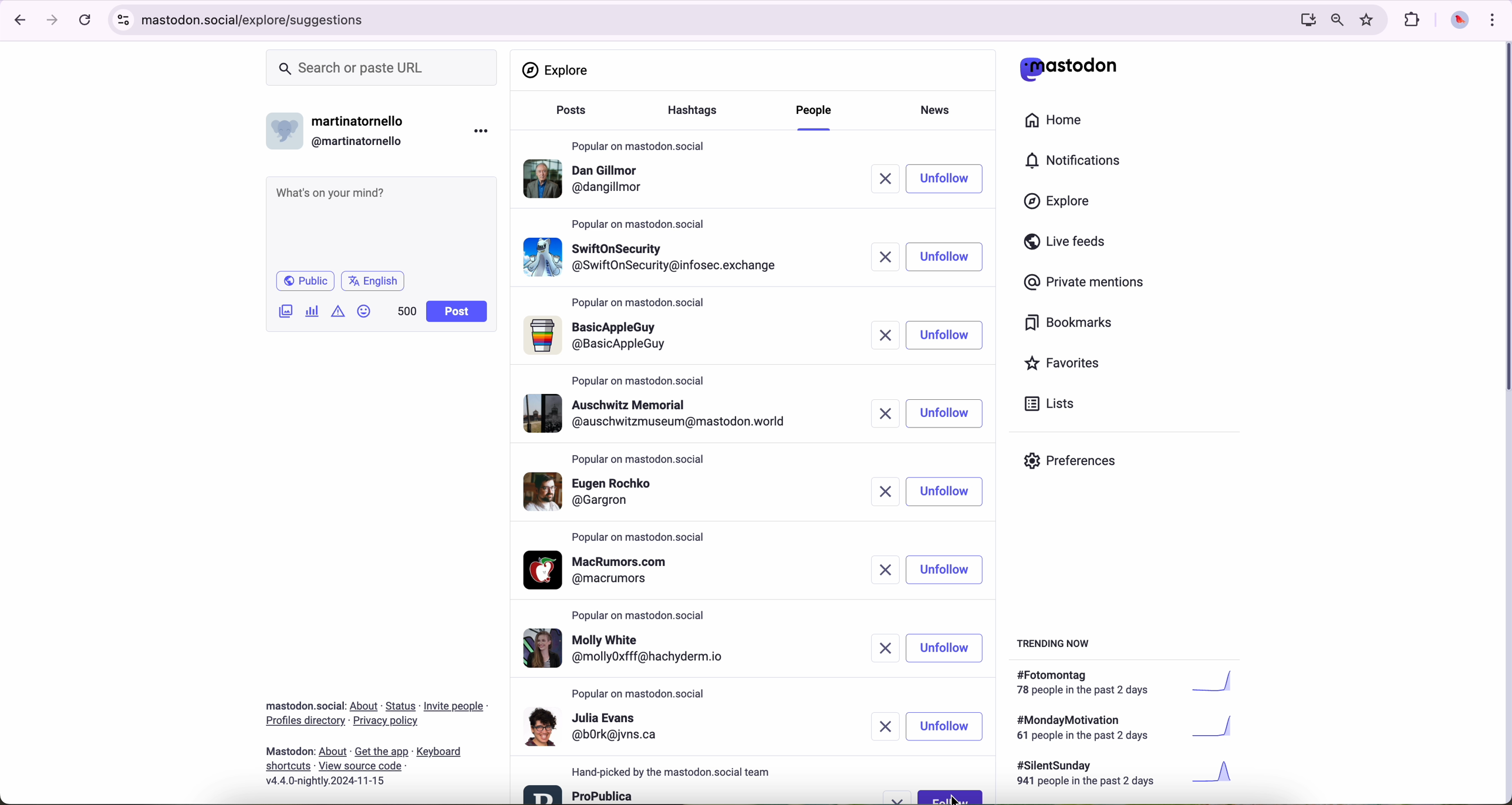 This screenshot has height=805, width=1512. What do you see at coordinates (960, 798) in the screenshot?
I see `cursor` at bounding box center [960, 798].